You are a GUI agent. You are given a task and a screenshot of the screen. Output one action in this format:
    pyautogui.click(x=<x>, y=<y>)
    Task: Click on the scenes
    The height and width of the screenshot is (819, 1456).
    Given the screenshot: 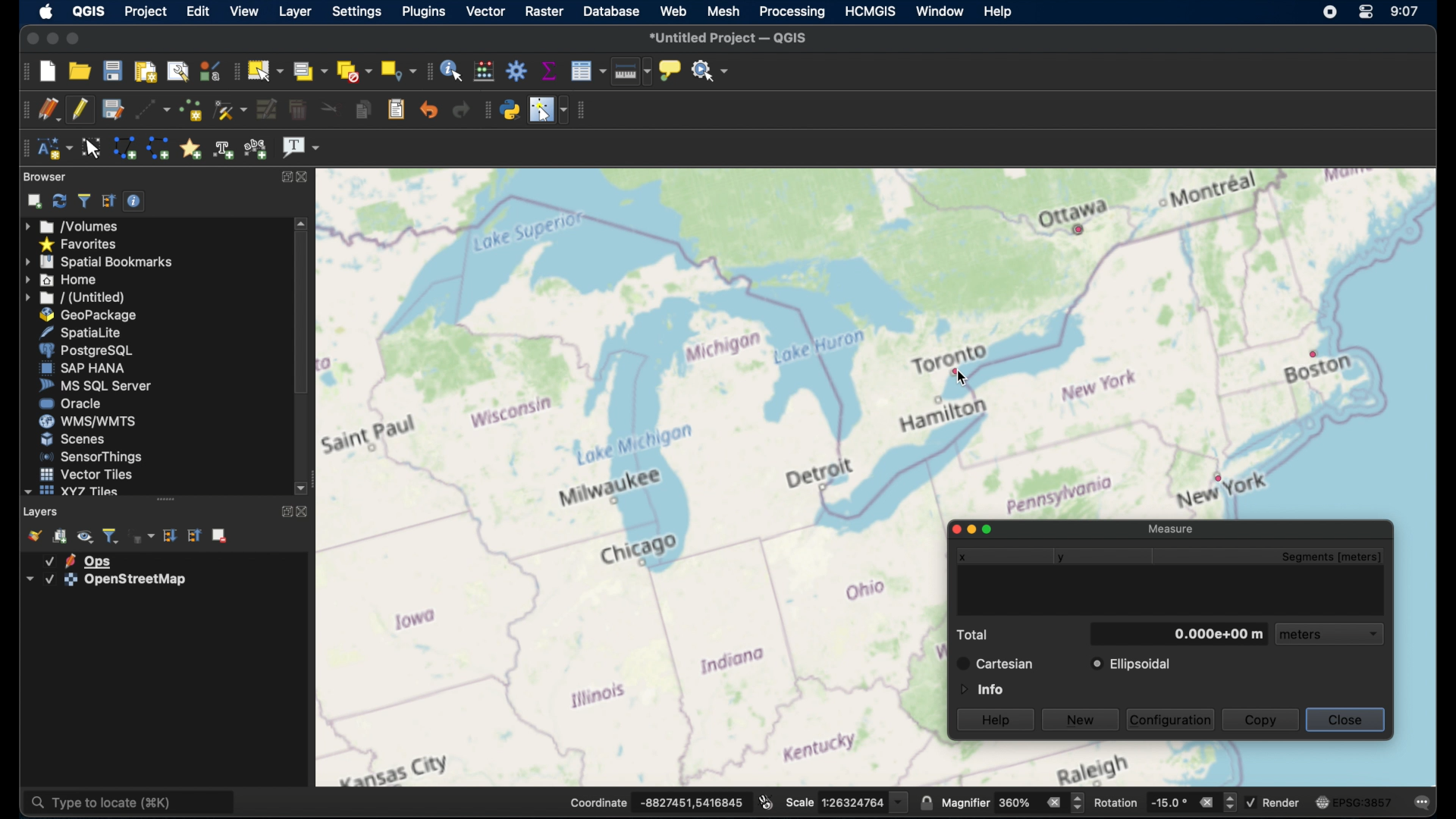 What is the action you would take?
    pyautogui.click(x=72, y=439)
    